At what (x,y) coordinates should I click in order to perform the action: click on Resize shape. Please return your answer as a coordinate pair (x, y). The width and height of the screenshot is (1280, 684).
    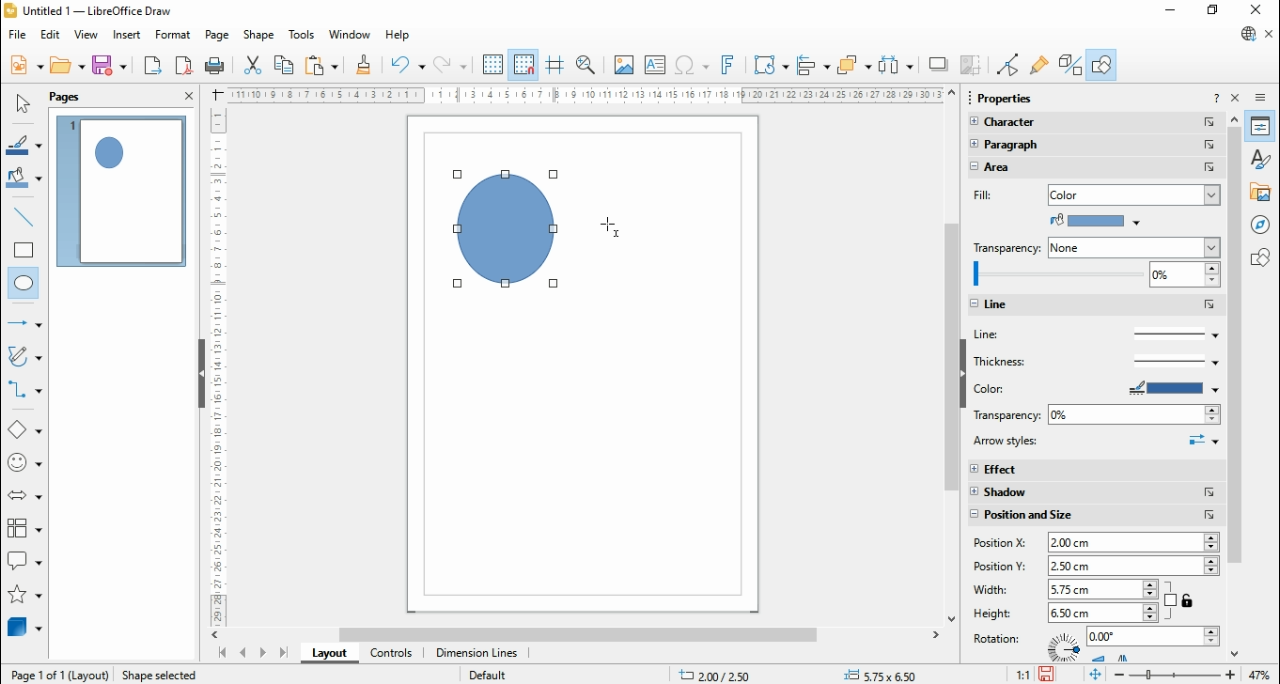
    Looking at the image, I should click on (154, 672).